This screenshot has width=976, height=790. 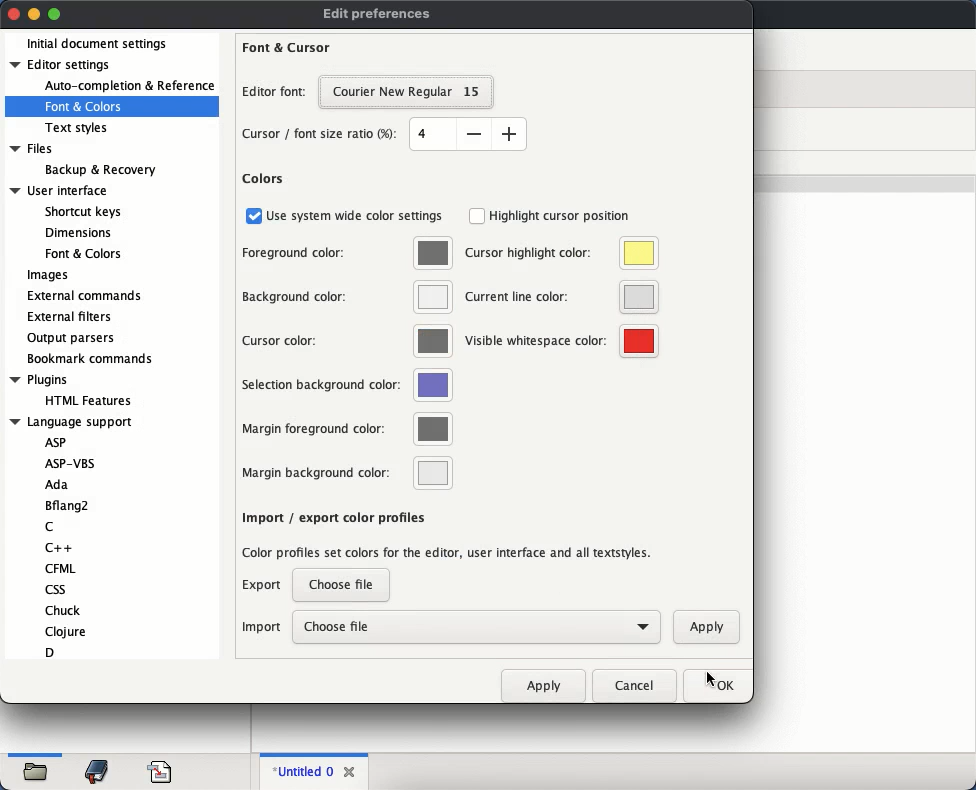 I want to click on backup & recovery, so click(x=100, y=170).